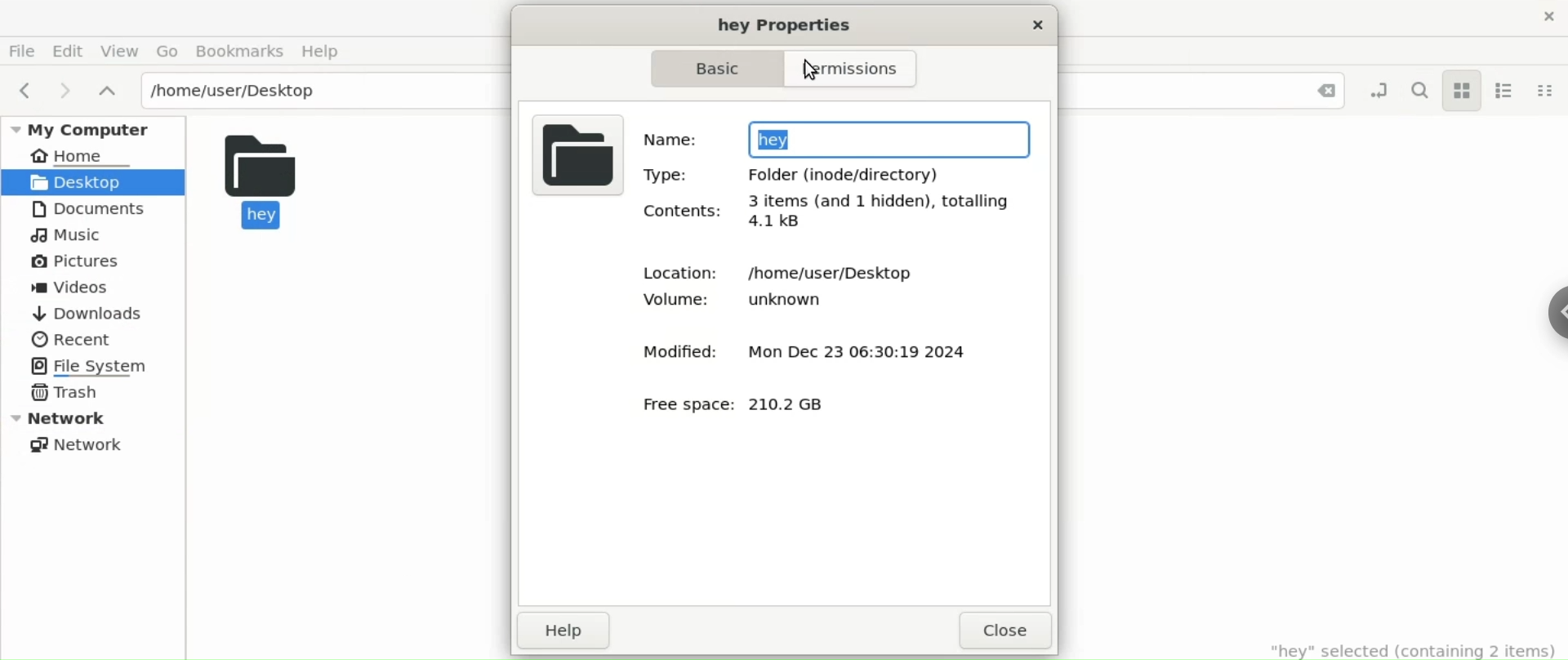 The height and width of the screenshot is (660, 1568). Describe the element at coordinates (109, 90) in the screenshot. I see `parent folders` at that location.